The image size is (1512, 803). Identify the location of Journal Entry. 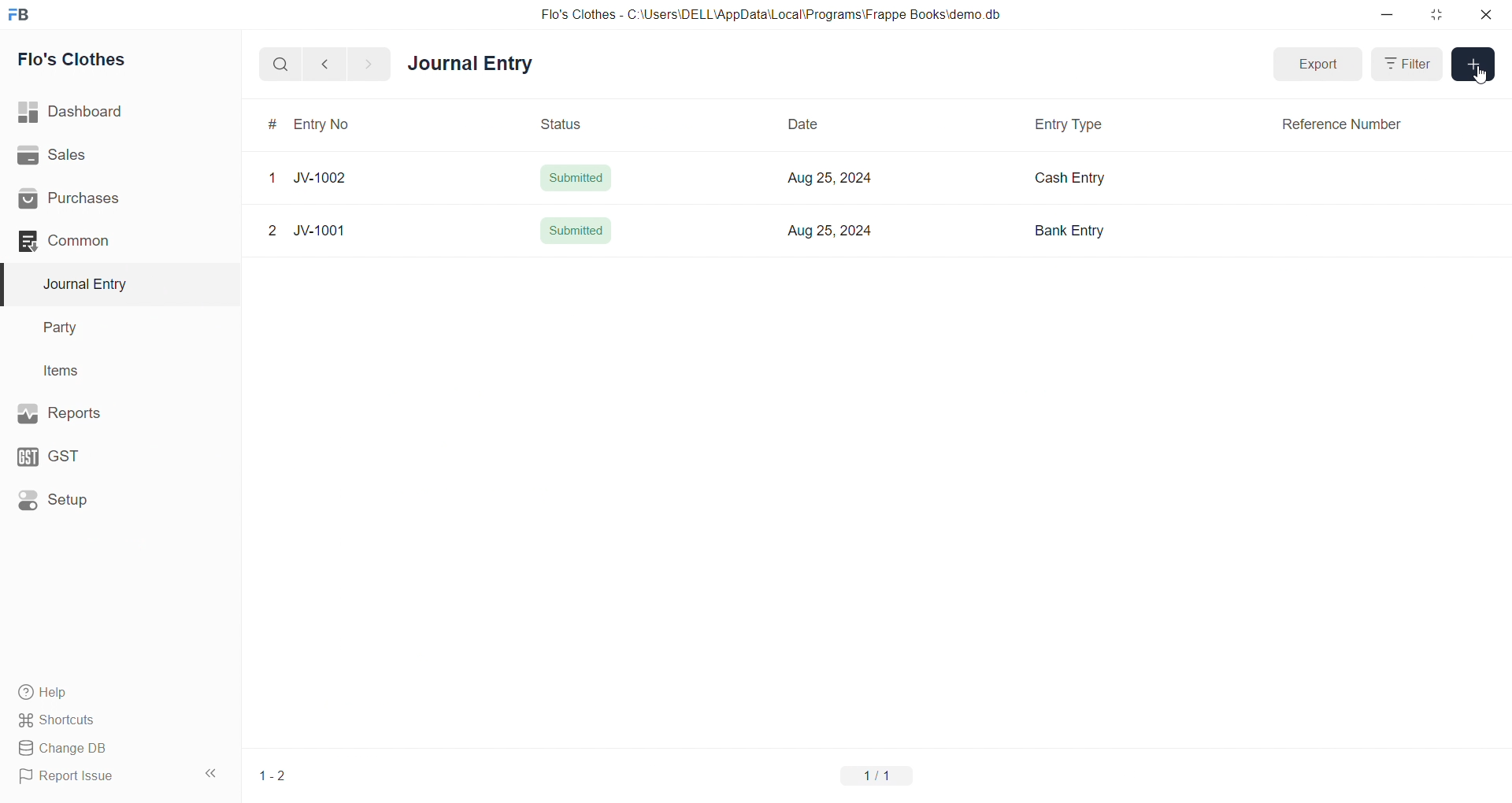
(112, 284).